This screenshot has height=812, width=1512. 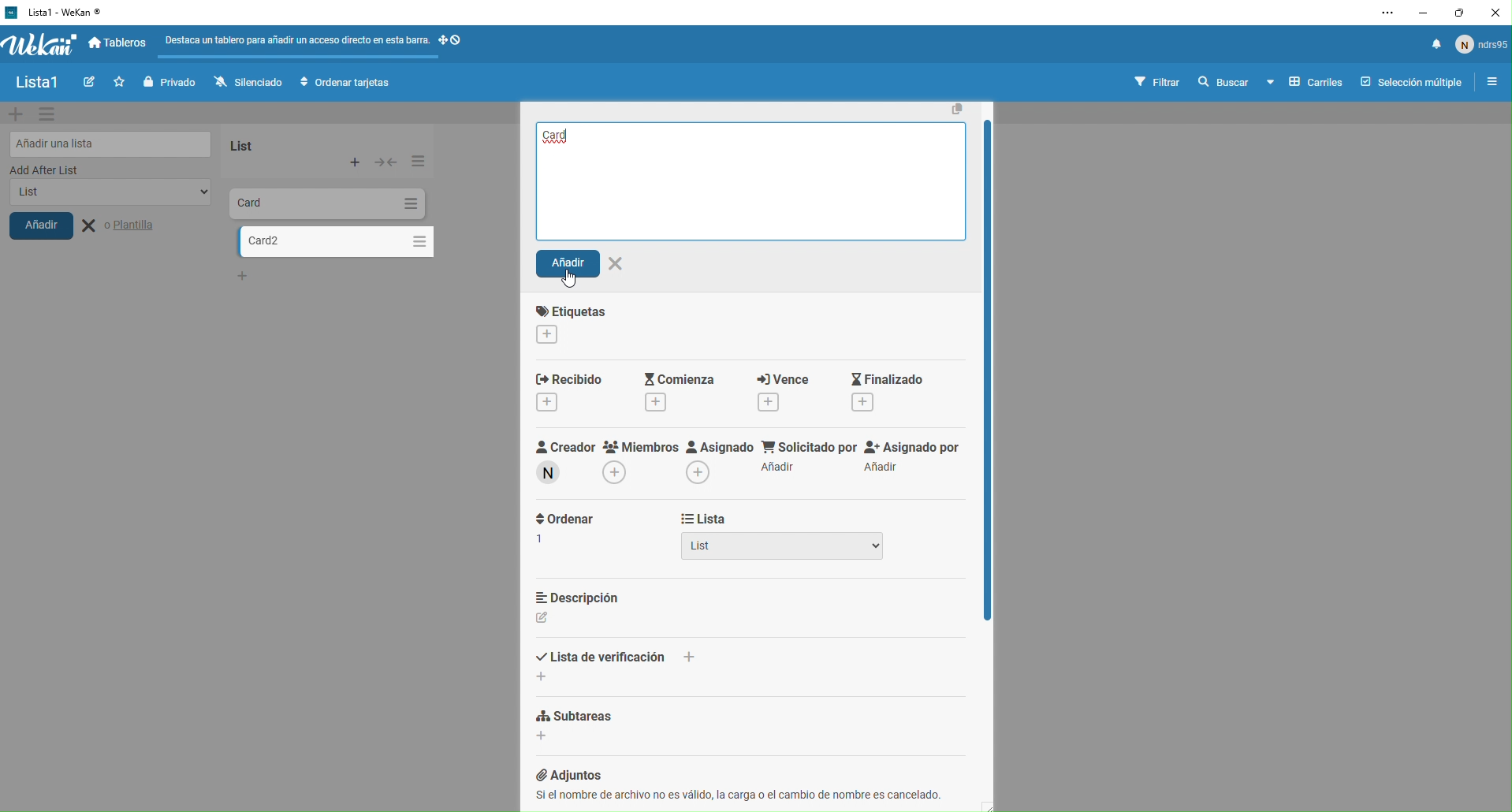 What do you see at coordinates (314, 241) in the screenshot?
I see `card 2` at bounding box center [314, 241].